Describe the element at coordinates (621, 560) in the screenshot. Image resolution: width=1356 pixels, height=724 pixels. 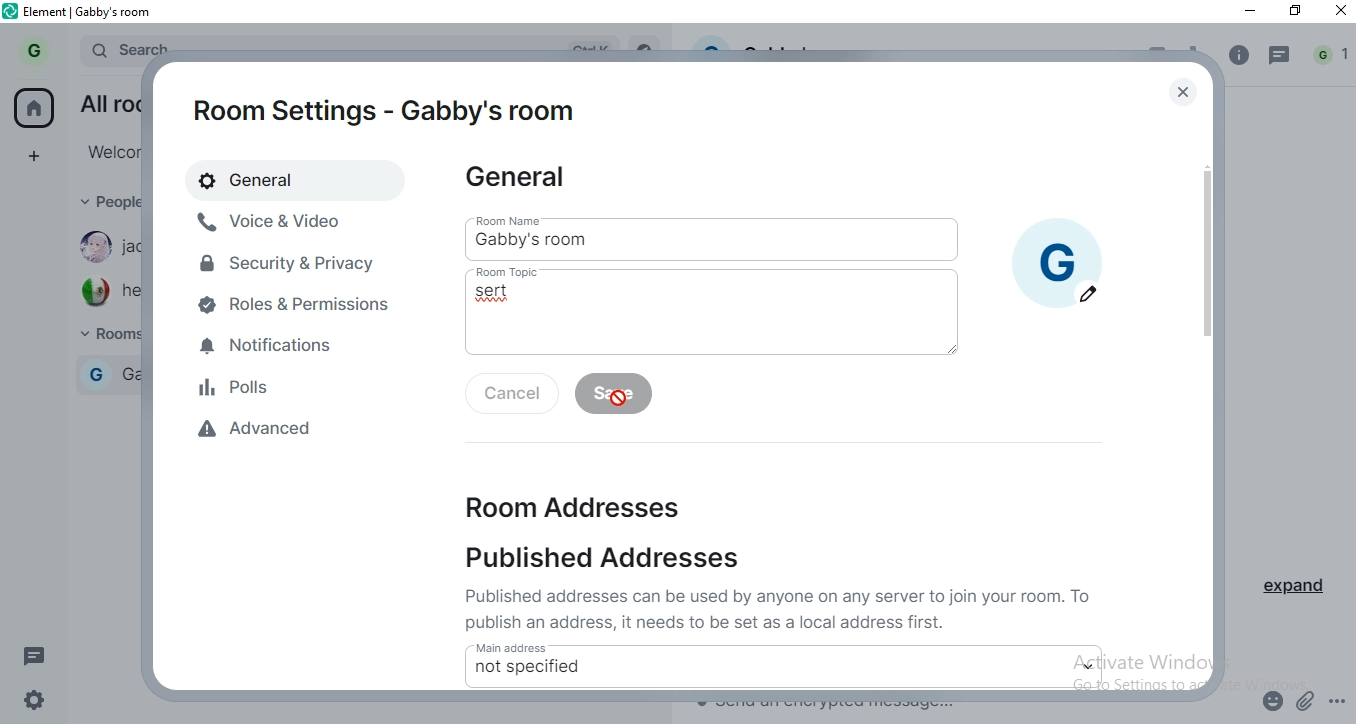
I see `published addresses` at that location.